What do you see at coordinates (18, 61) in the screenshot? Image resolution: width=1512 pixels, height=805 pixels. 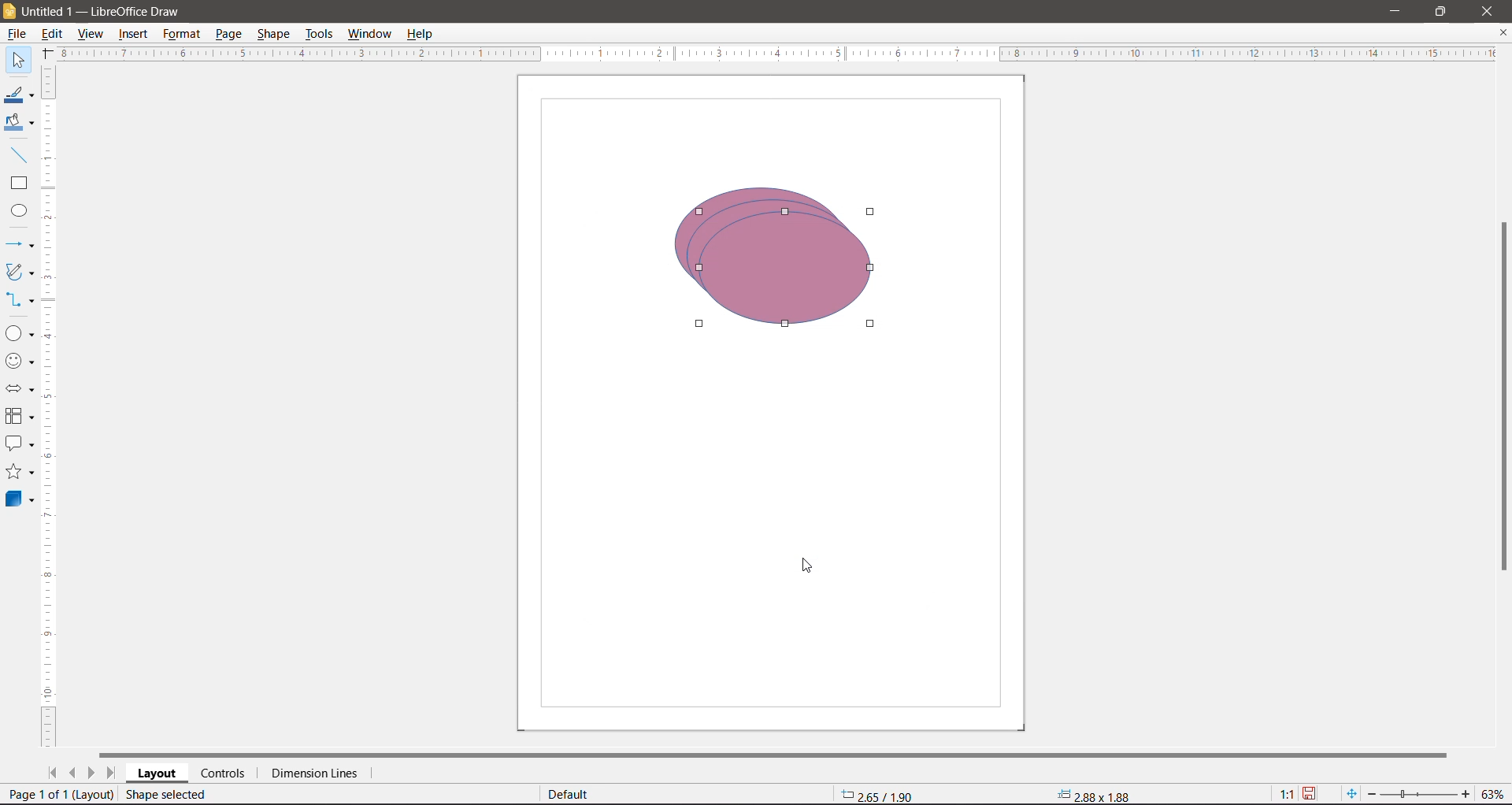 I see `Select Tool` at bounding box center [18, 61].